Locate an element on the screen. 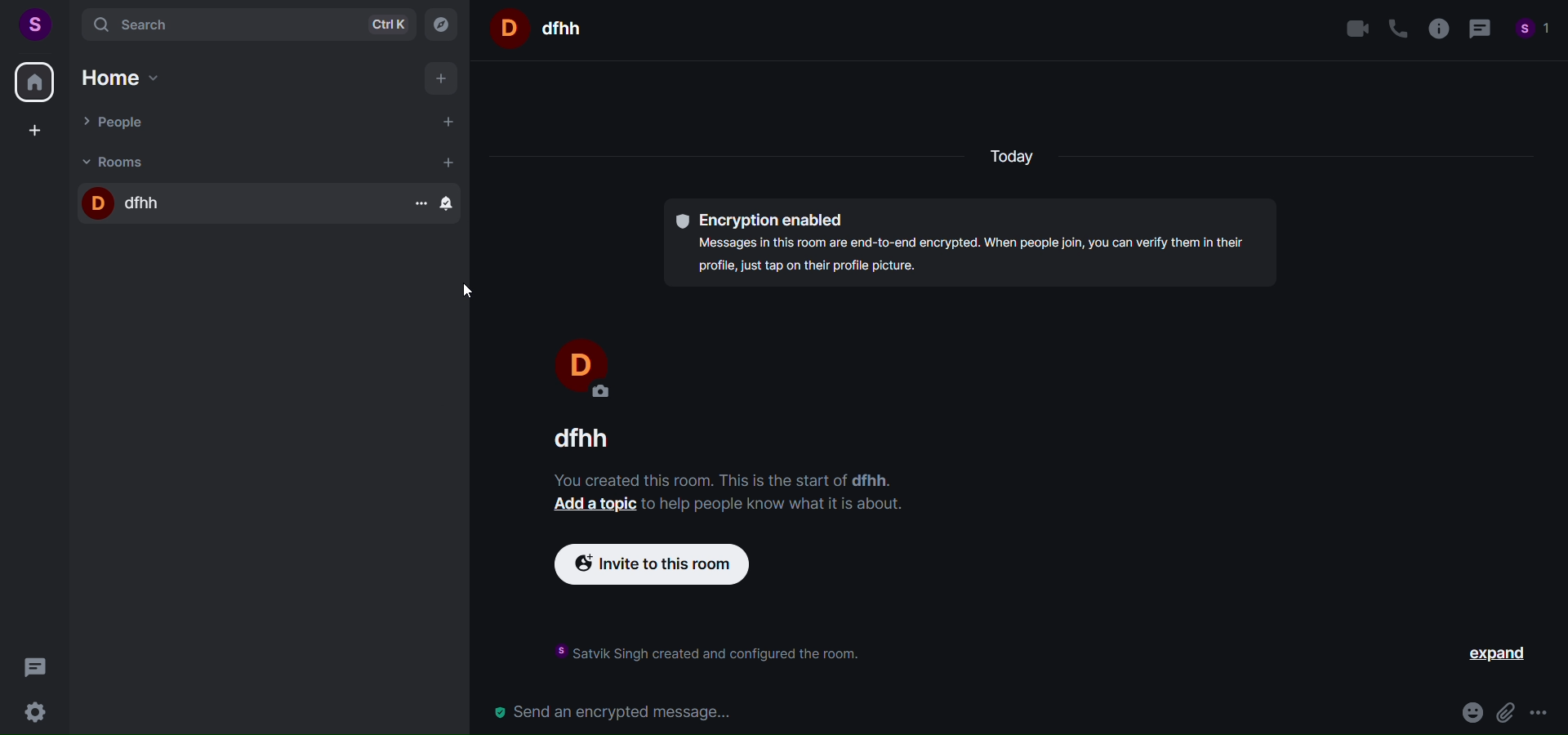 The width and height of the screenshot is (1568, 735). satvik singh created and configured the room. is located at coordinates (700, 653).